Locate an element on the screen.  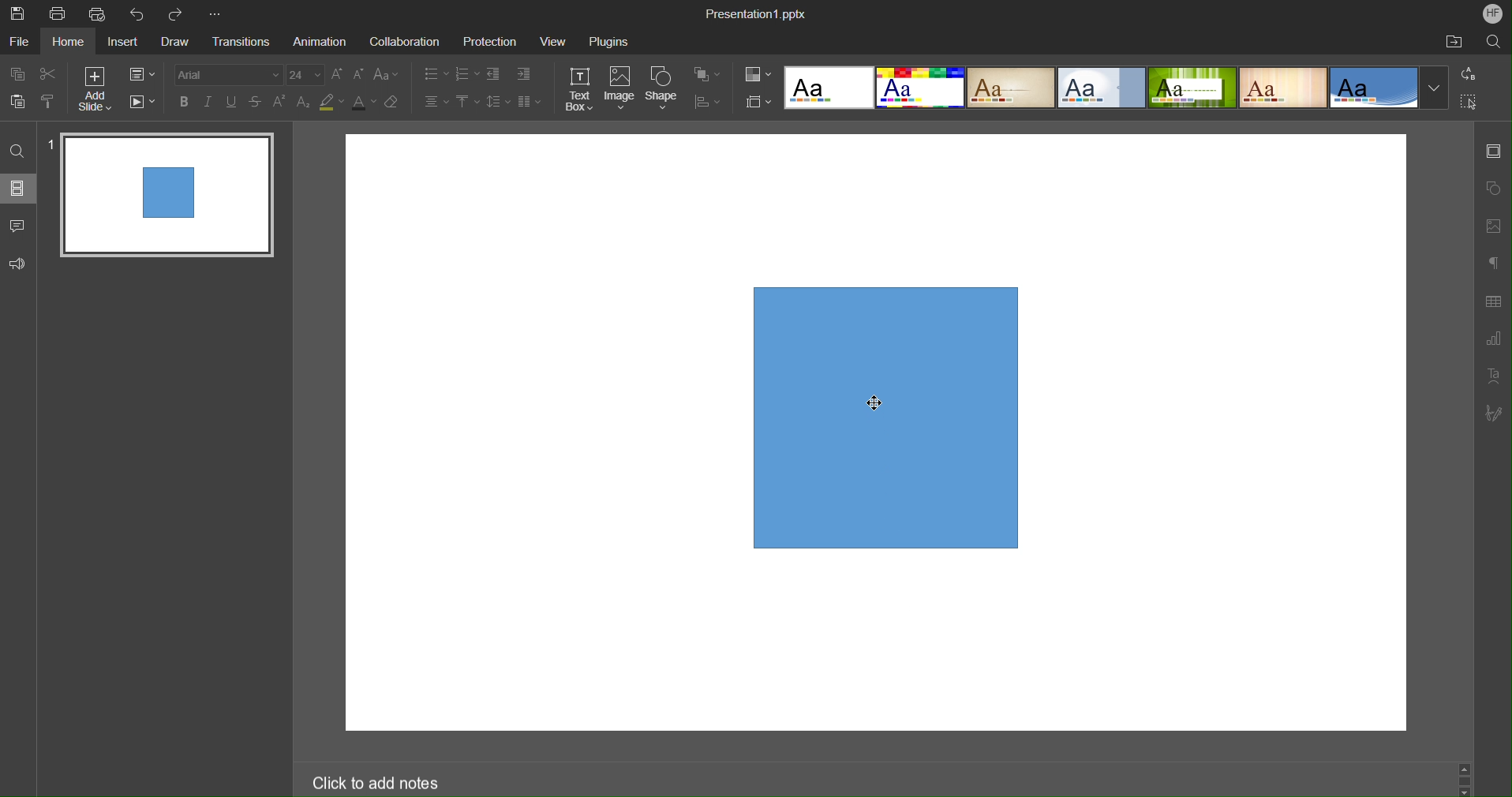
Paste is located at coordinates (16, 102).